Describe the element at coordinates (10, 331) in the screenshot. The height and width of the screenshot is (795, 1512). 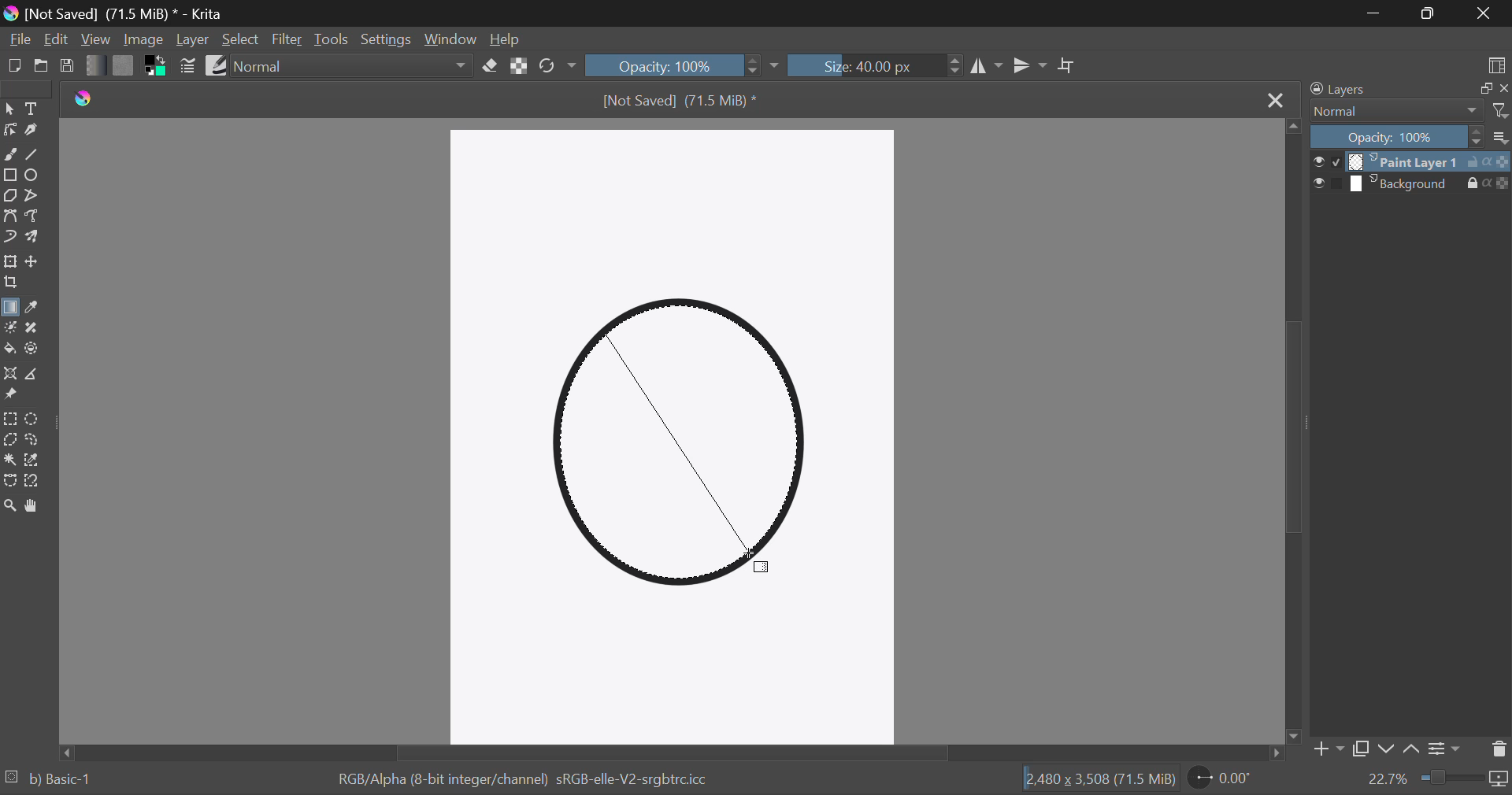
I see `Colorize Mask Tool` at that location.